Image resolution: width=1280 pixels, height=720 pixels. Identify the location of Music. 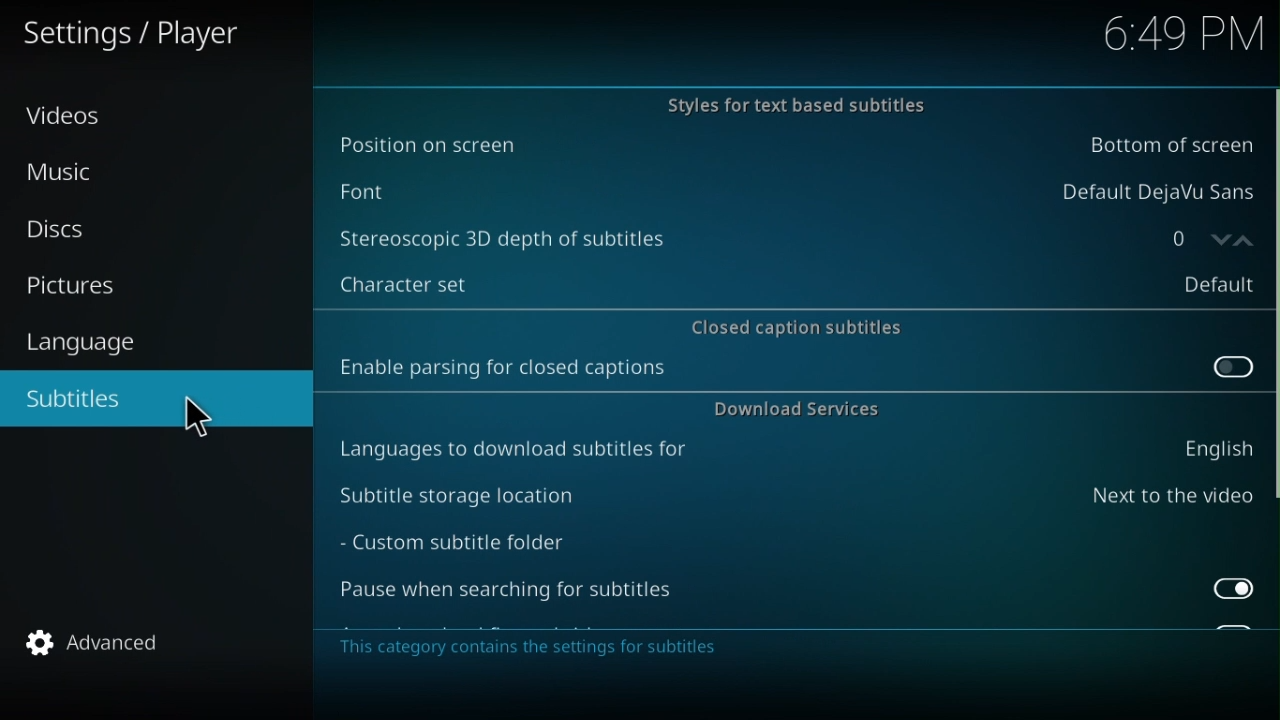
(67, 178).